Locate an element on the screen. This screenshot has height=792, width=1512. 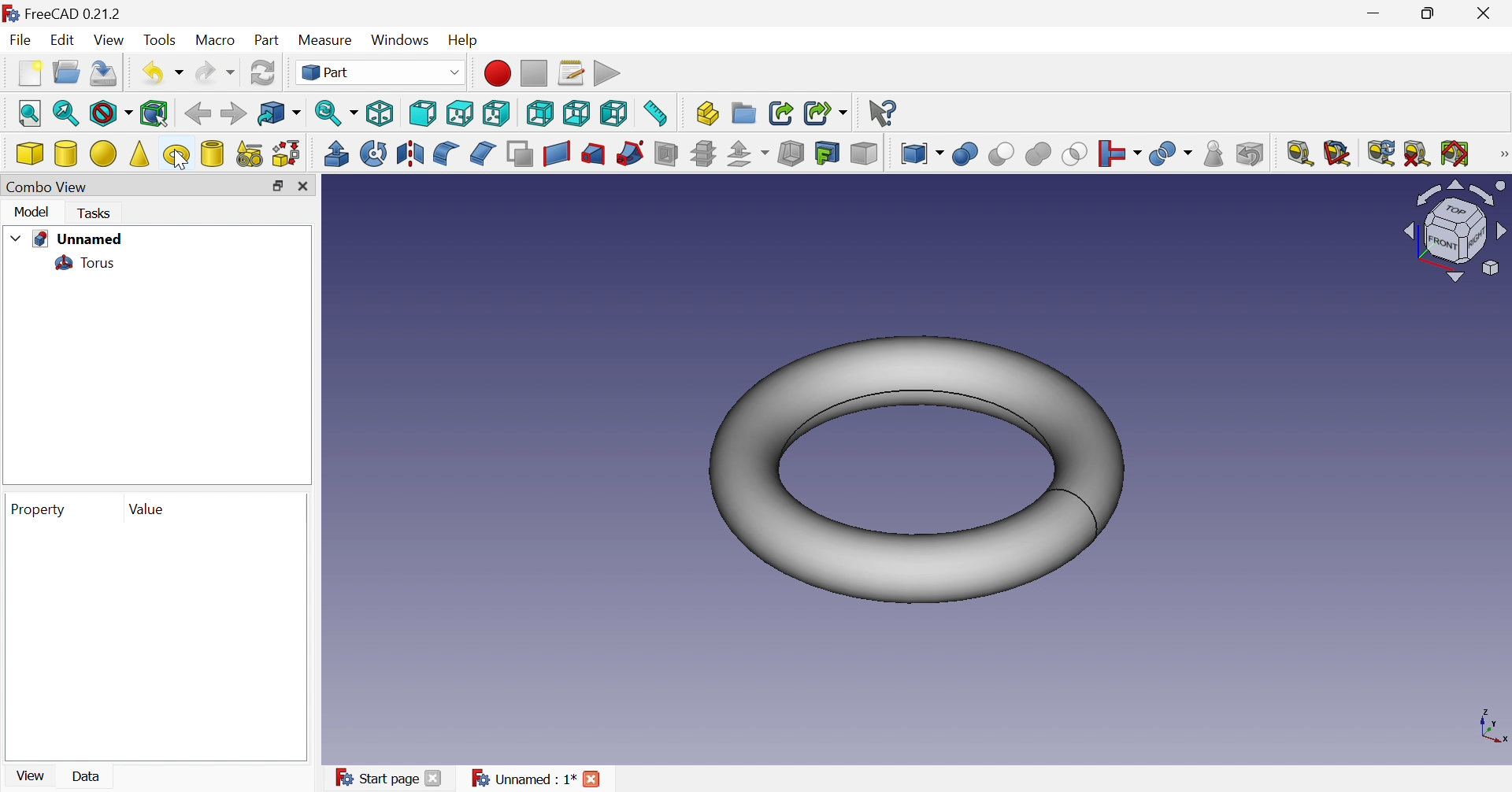
Data is located at coordinates (88, 775).